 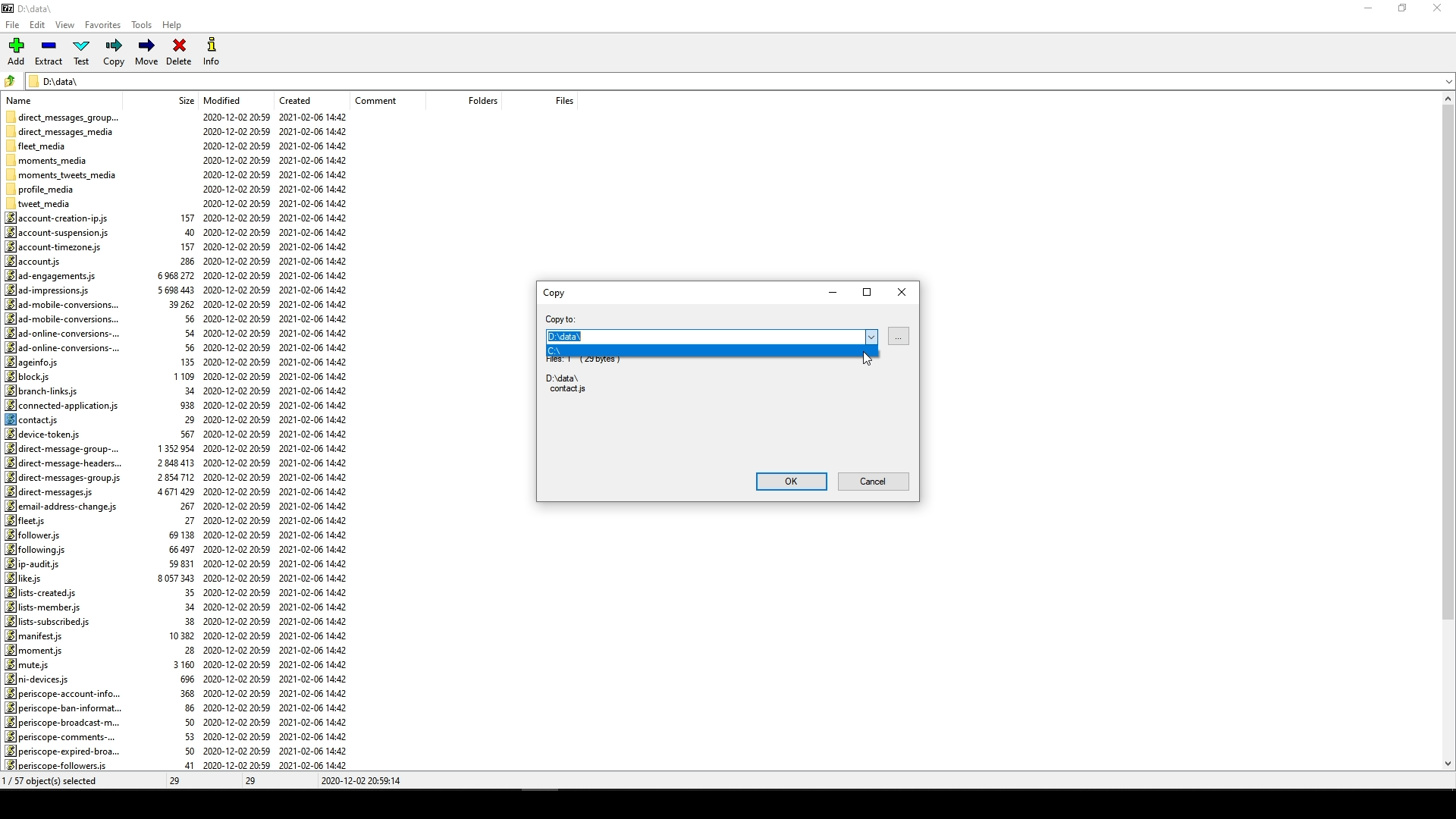 What do you see at coordinates (33, 362) in the screenshot?
I see `ageinfo.js` at bounding box center [33, 362].